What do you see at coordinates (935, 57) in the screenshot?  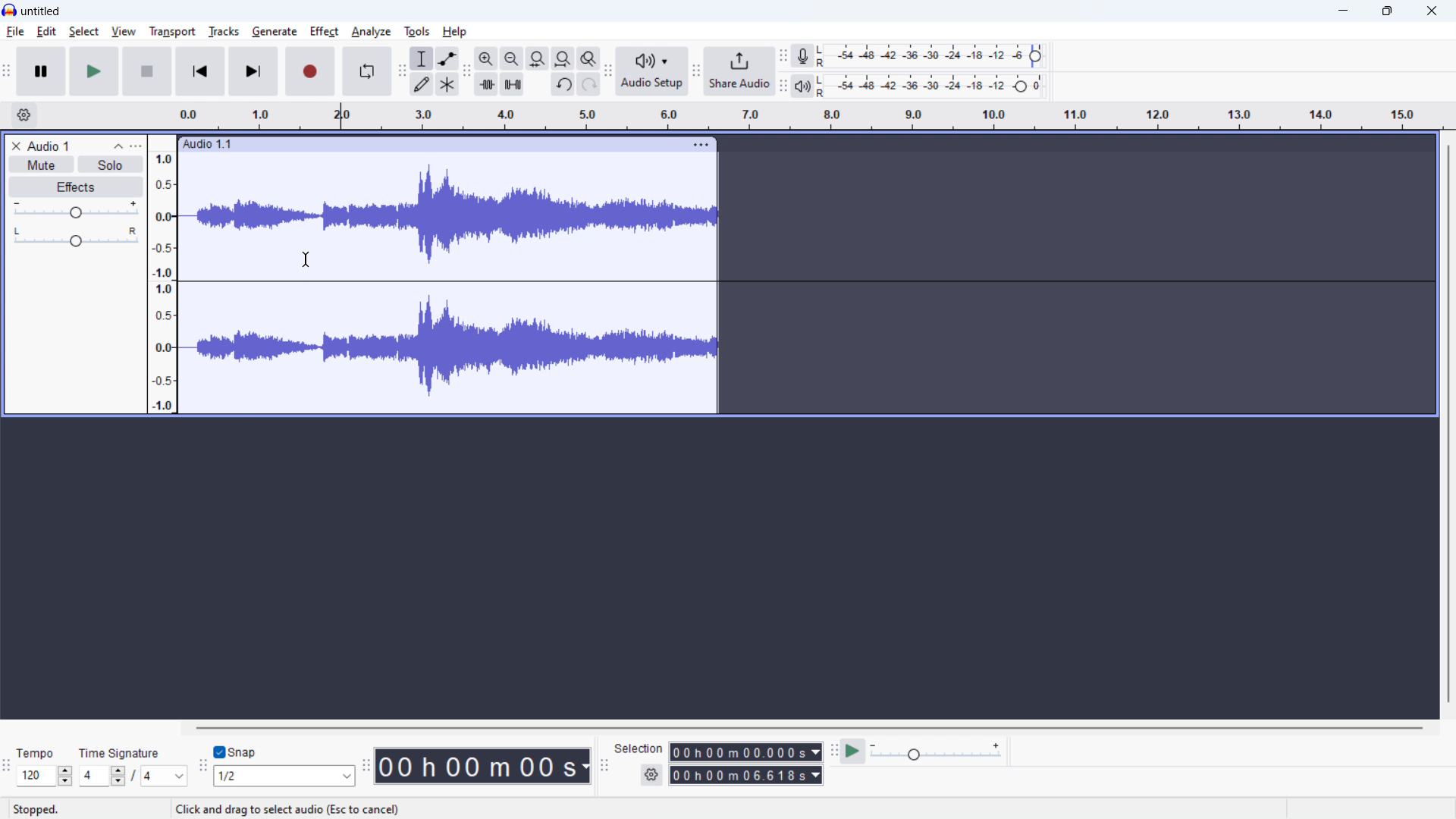 I see `recording level` at bounding box center [935, 57].